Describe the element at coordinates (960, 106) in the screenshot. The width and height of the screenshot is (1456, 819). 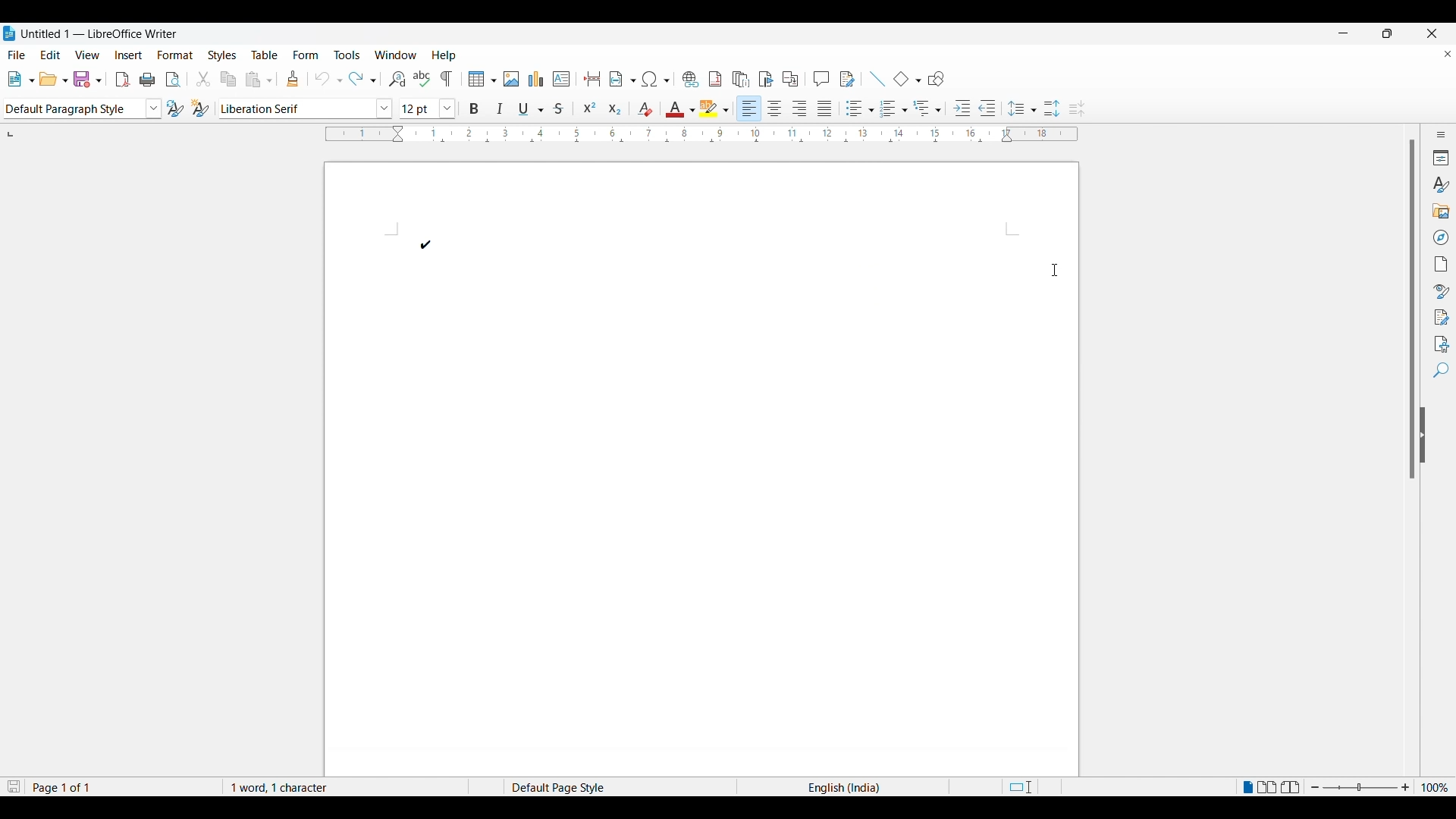
I see `Increase indent` at that location.